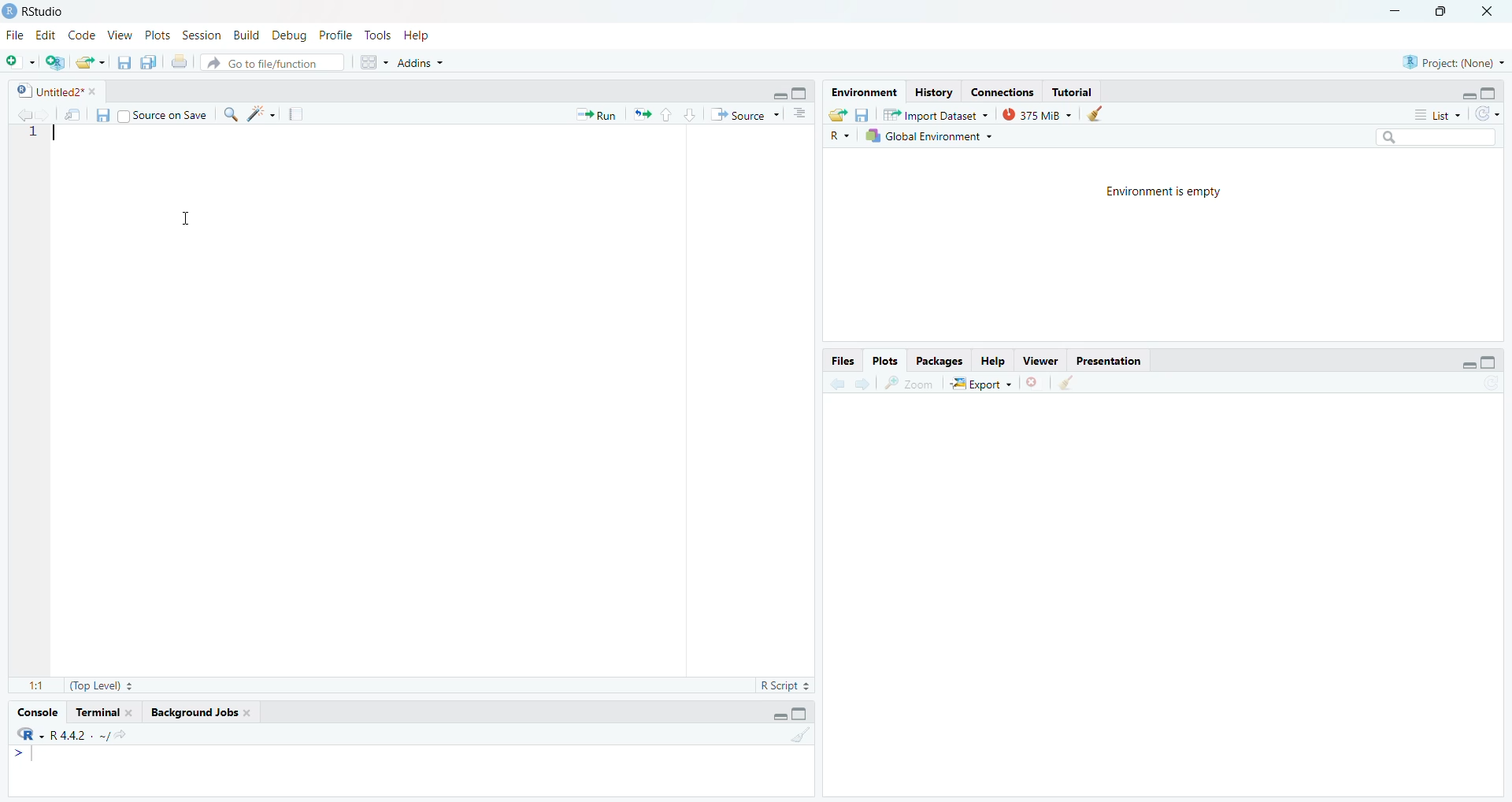  What do you see at coordinates (36, 713) in the screenshot?
I see `Console` at bounding box center [36, 713].